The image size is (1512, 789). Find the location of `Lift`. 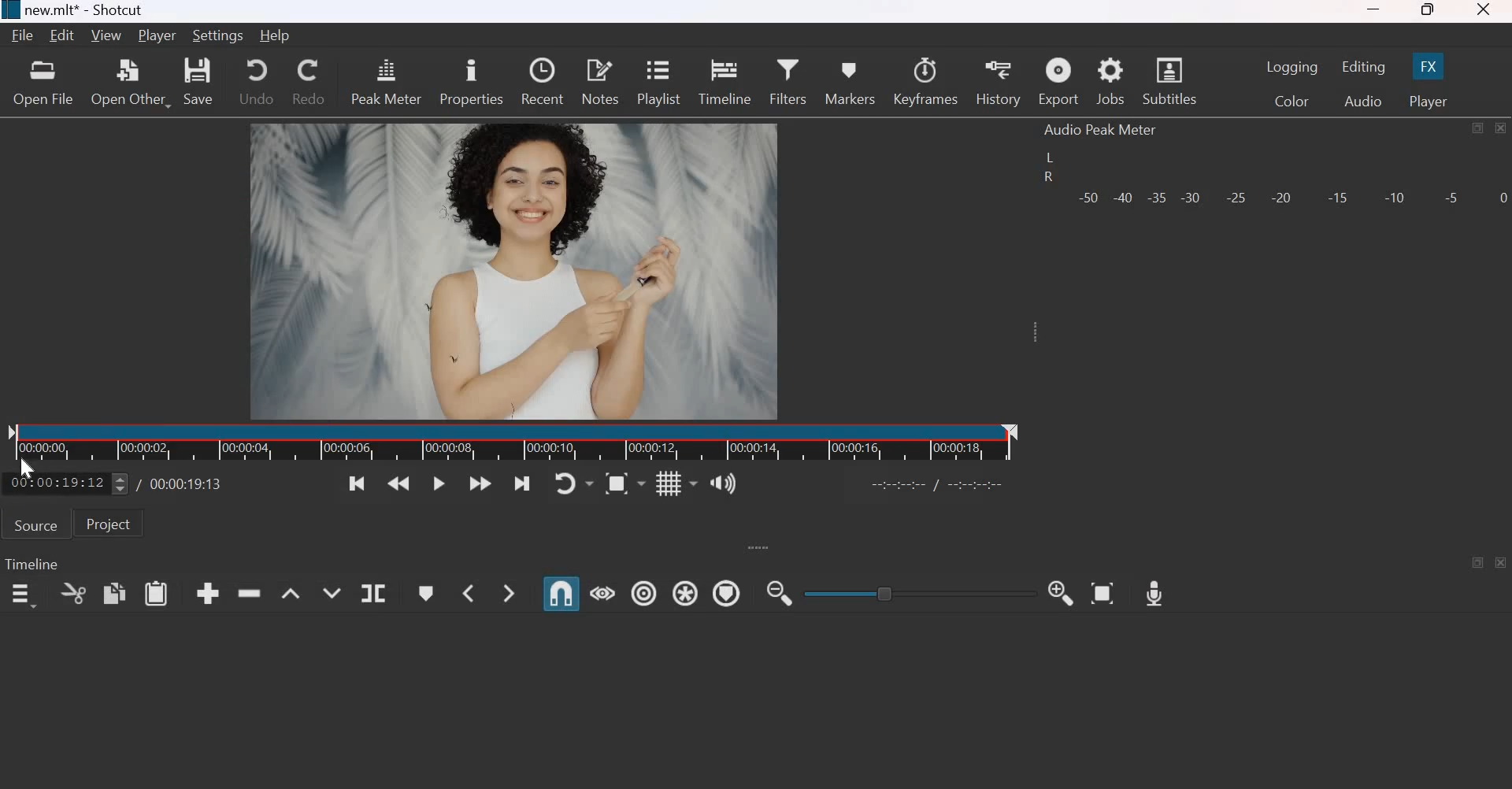

Lift is located at coordinates (291, 593).